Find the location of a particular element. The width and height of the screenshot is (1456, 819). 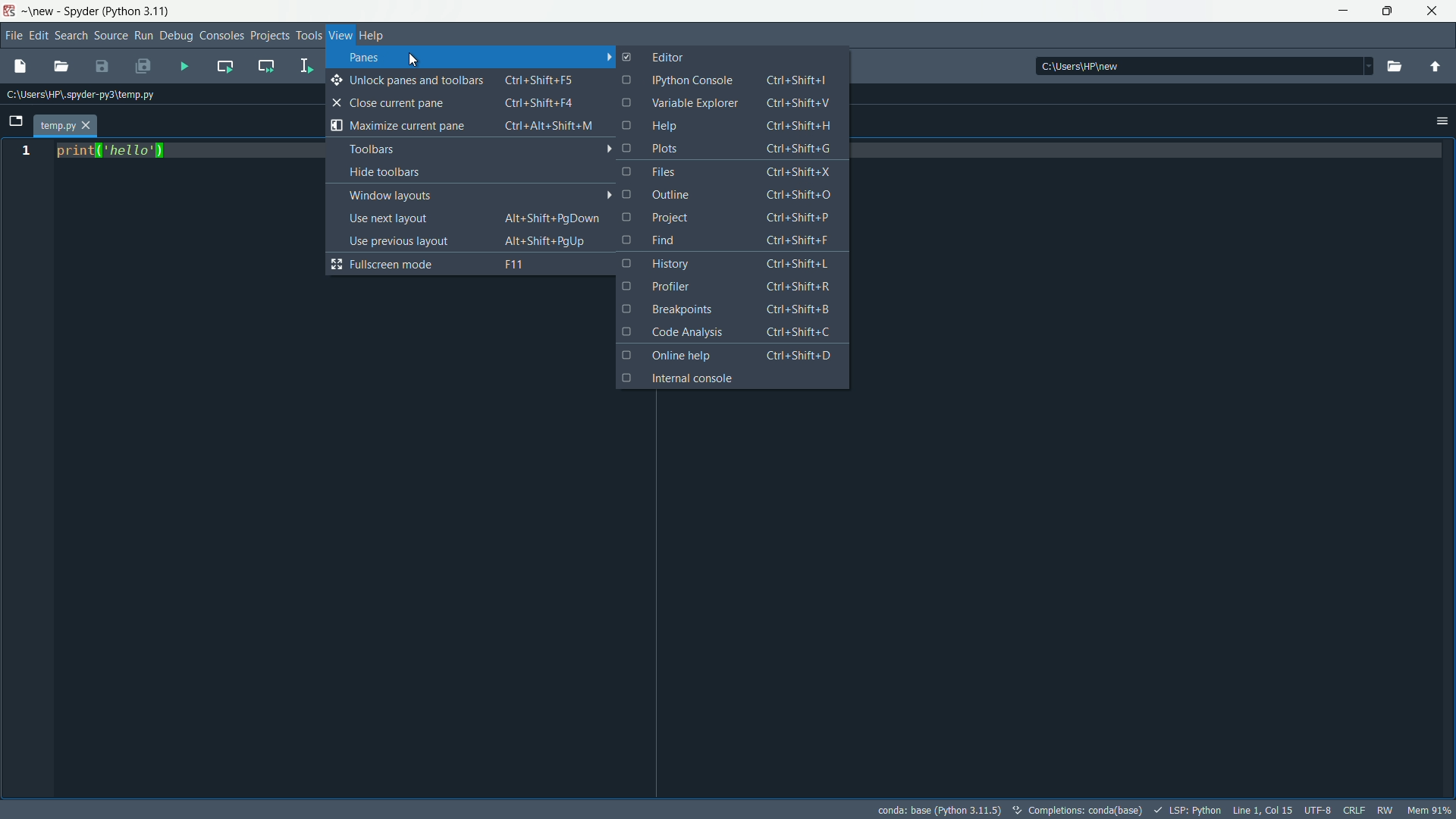

parent directory is located at coordinates (1436, 67).